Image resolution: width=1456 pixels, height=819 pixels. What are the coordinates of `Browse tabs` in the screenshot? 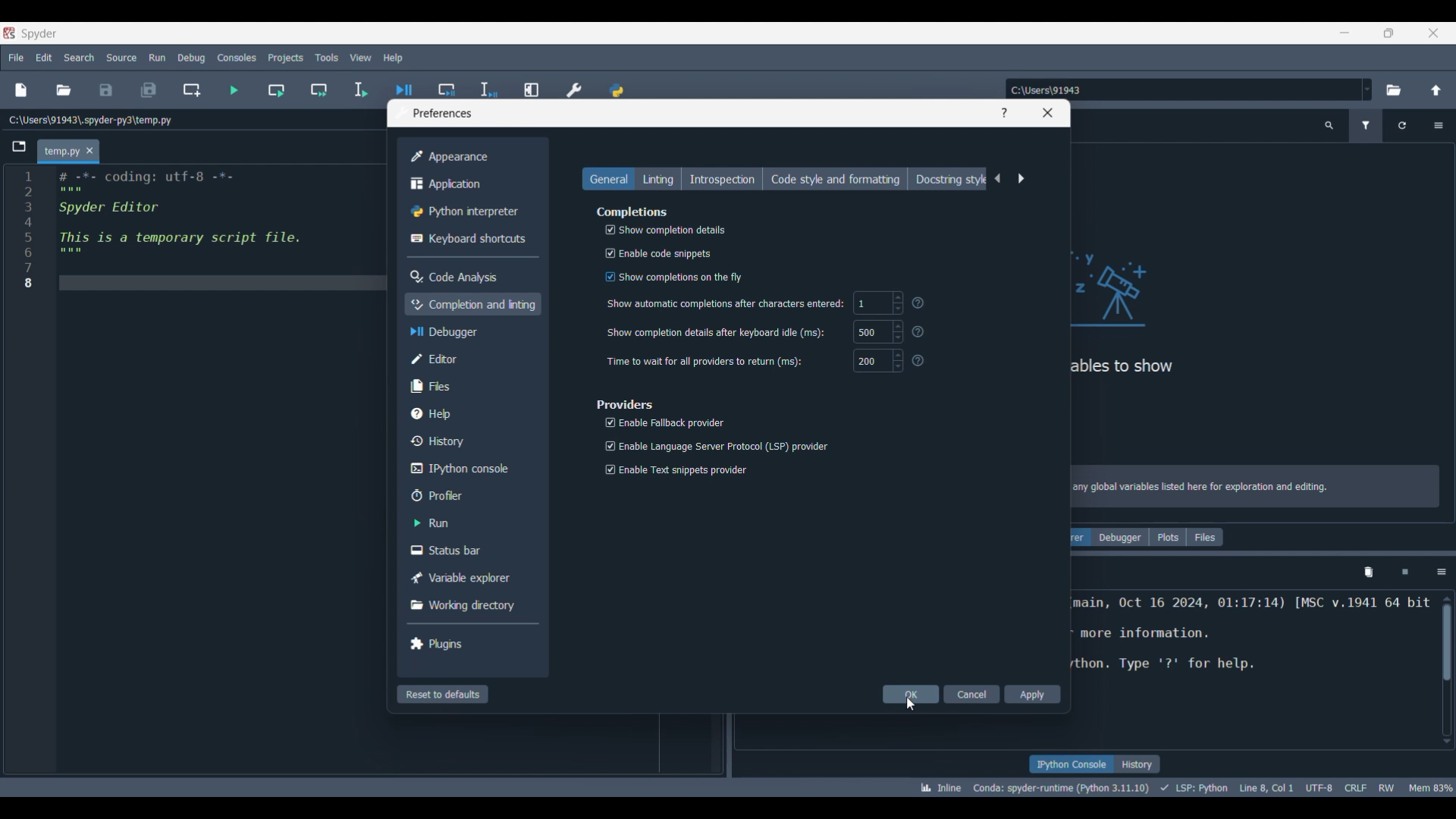 It's located at (19, 146).